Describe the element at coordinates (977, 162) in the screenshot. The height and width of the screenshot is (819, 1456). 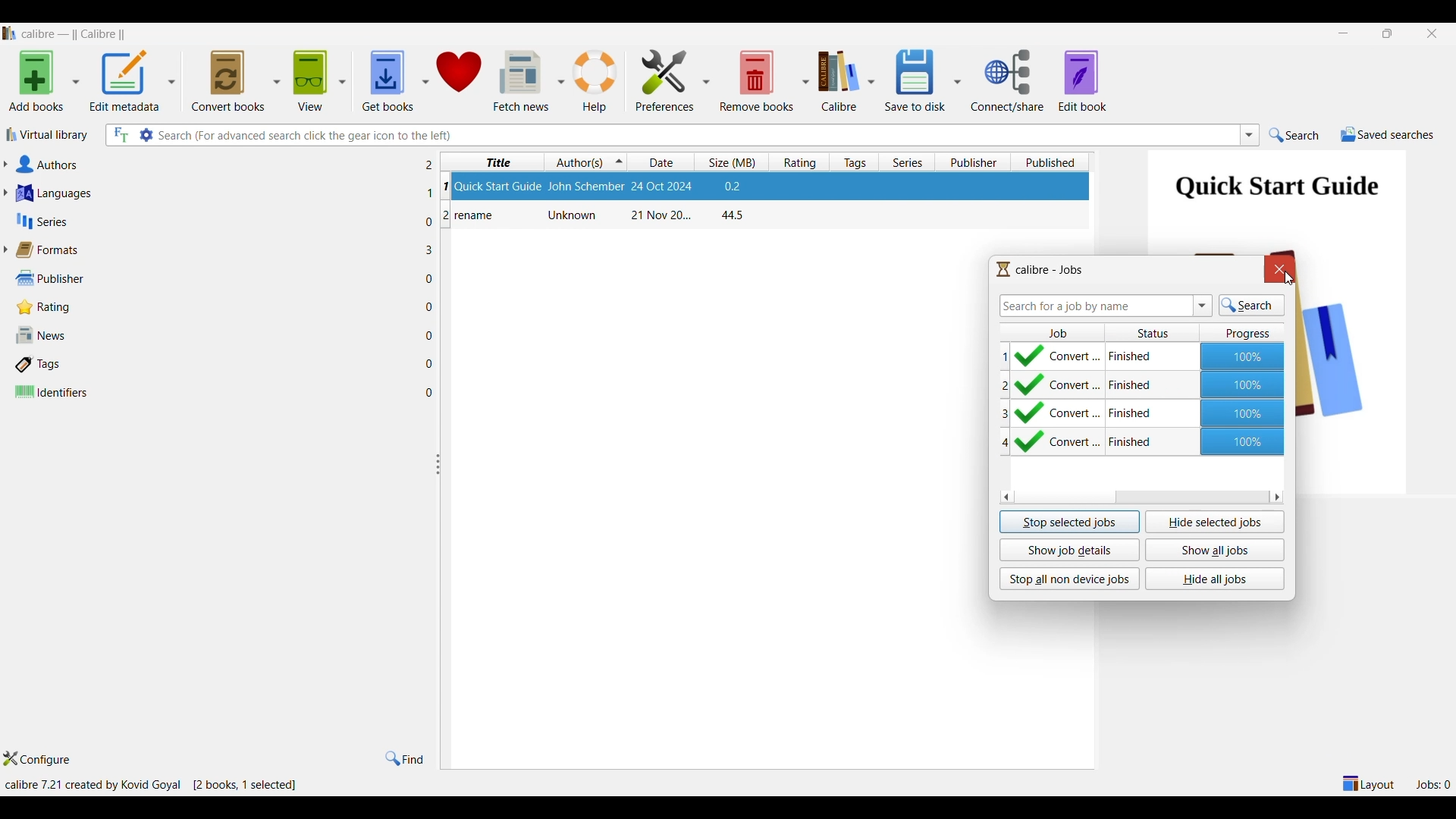
I see `Publisher column` at that location.